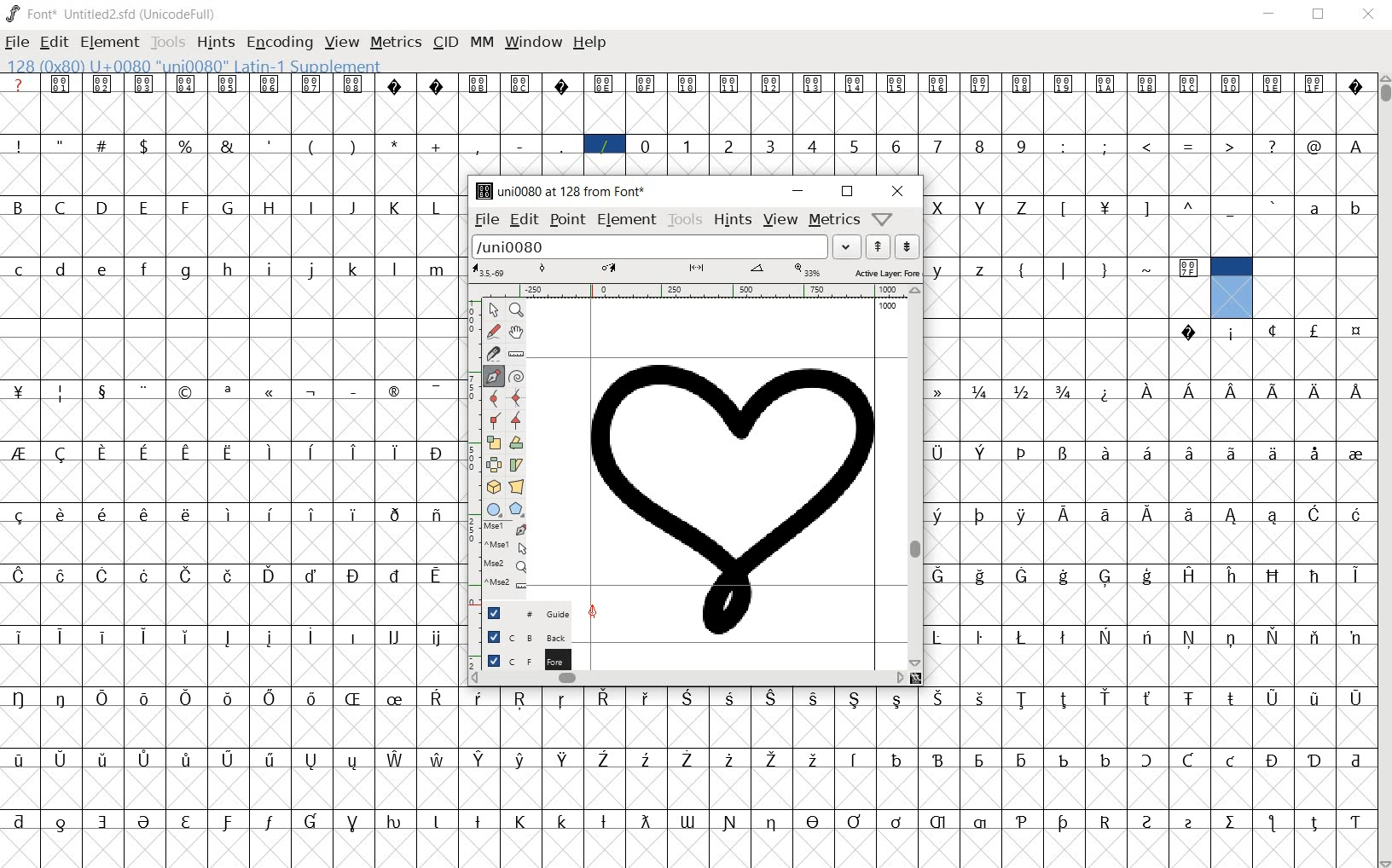 Image resolution: width=1392 pixels, height=868 pixels. What do you see at coordinates (1190, 575) in the screenshot?
I see `glyph` at bounding box center [1190, 575].